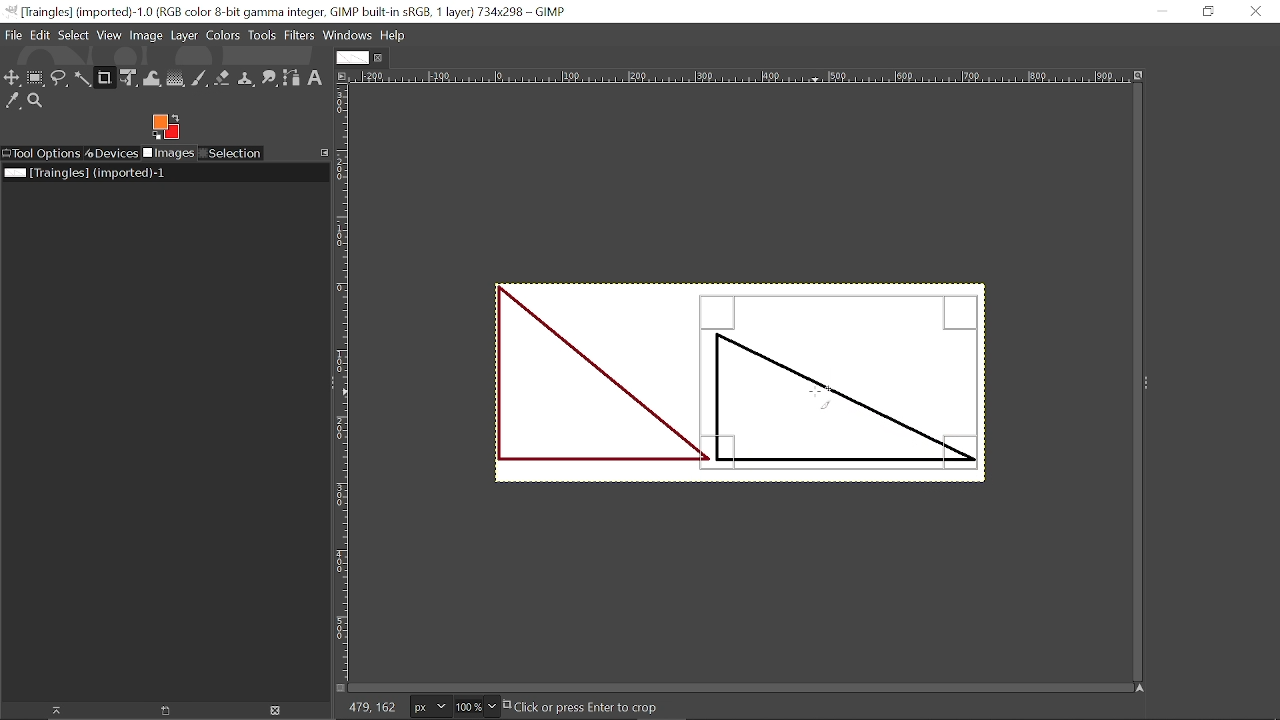 This screenshot has width=1280, height=720. Describe the element at coordinates (85, 173) in the screenshot. I see `Current file name` at that location.